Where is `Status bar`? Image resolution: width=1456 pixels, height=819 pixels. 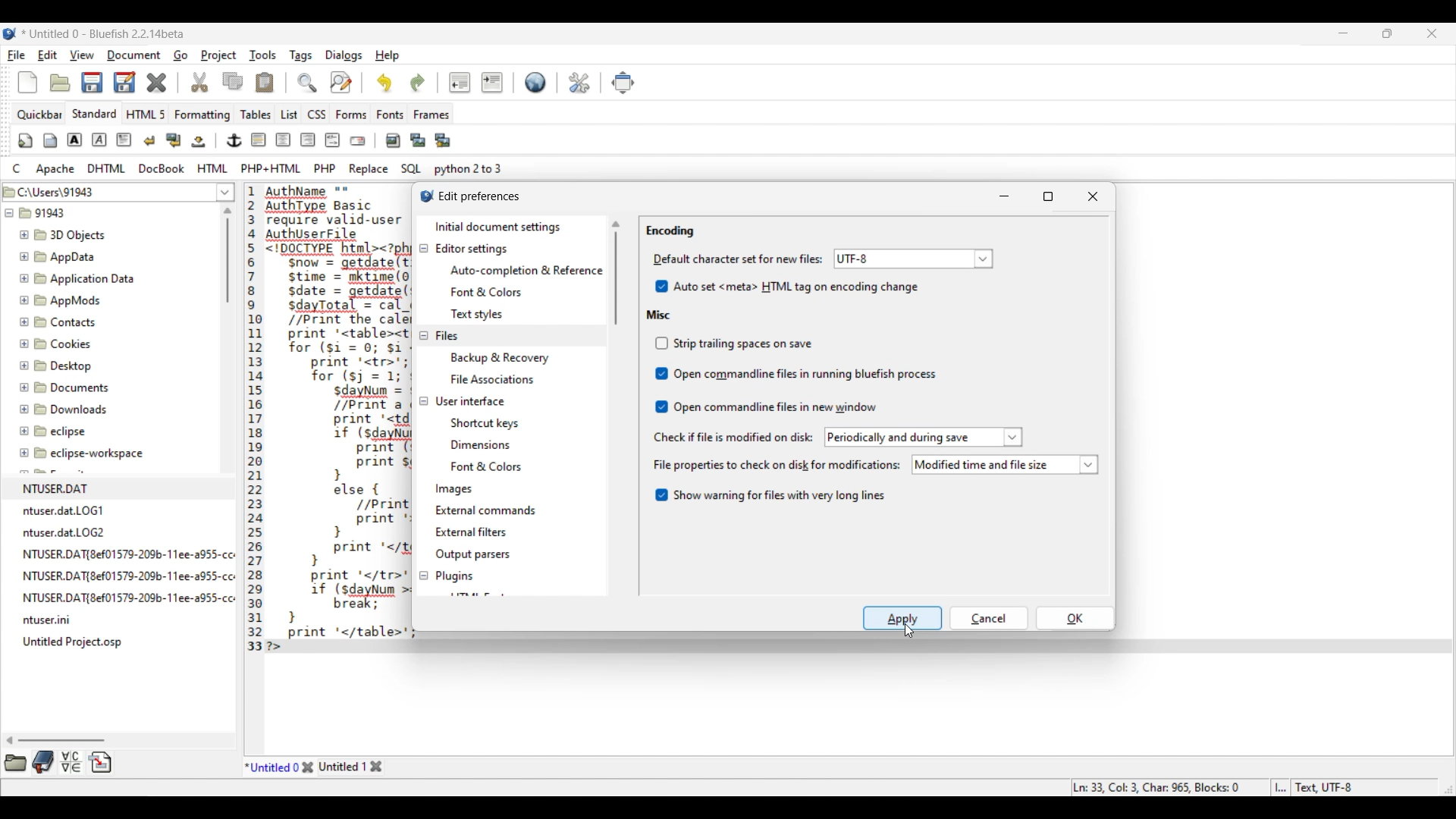 Status bar is located at coordinates (1214, 787).